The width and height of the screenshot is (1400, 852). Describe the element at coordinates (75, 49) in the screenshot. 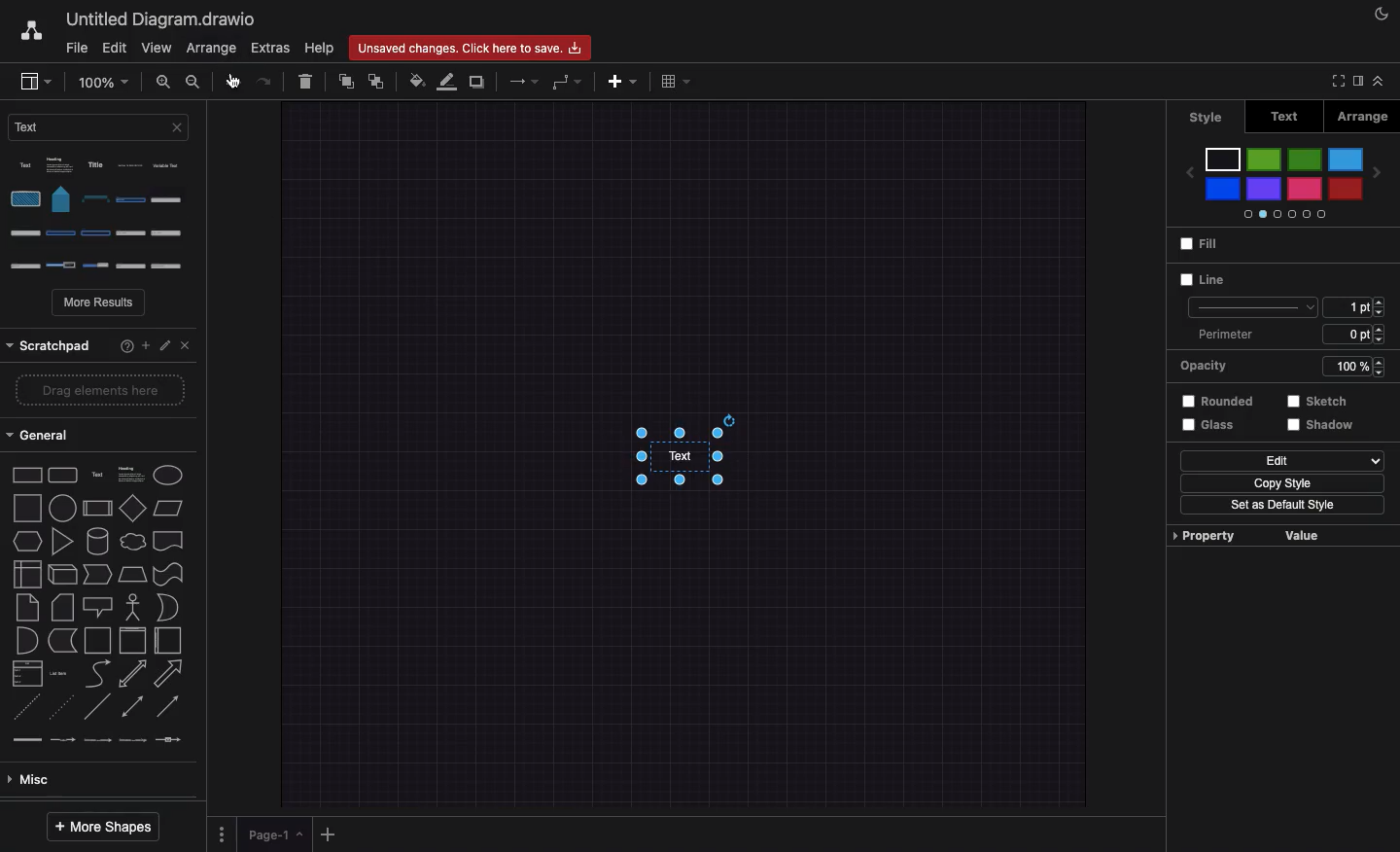

I see `File` at that location.